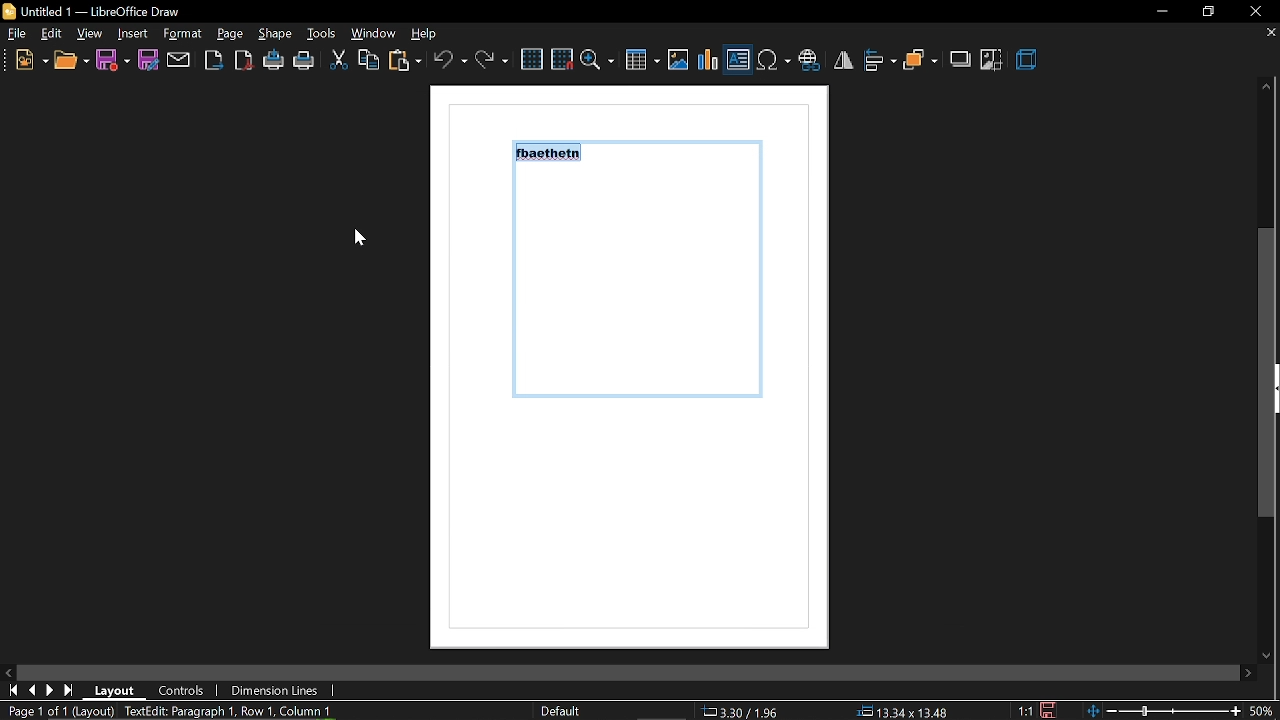 The width and height of the screenshot is (1280, 720). I want to click on tools, so click(322, 33).